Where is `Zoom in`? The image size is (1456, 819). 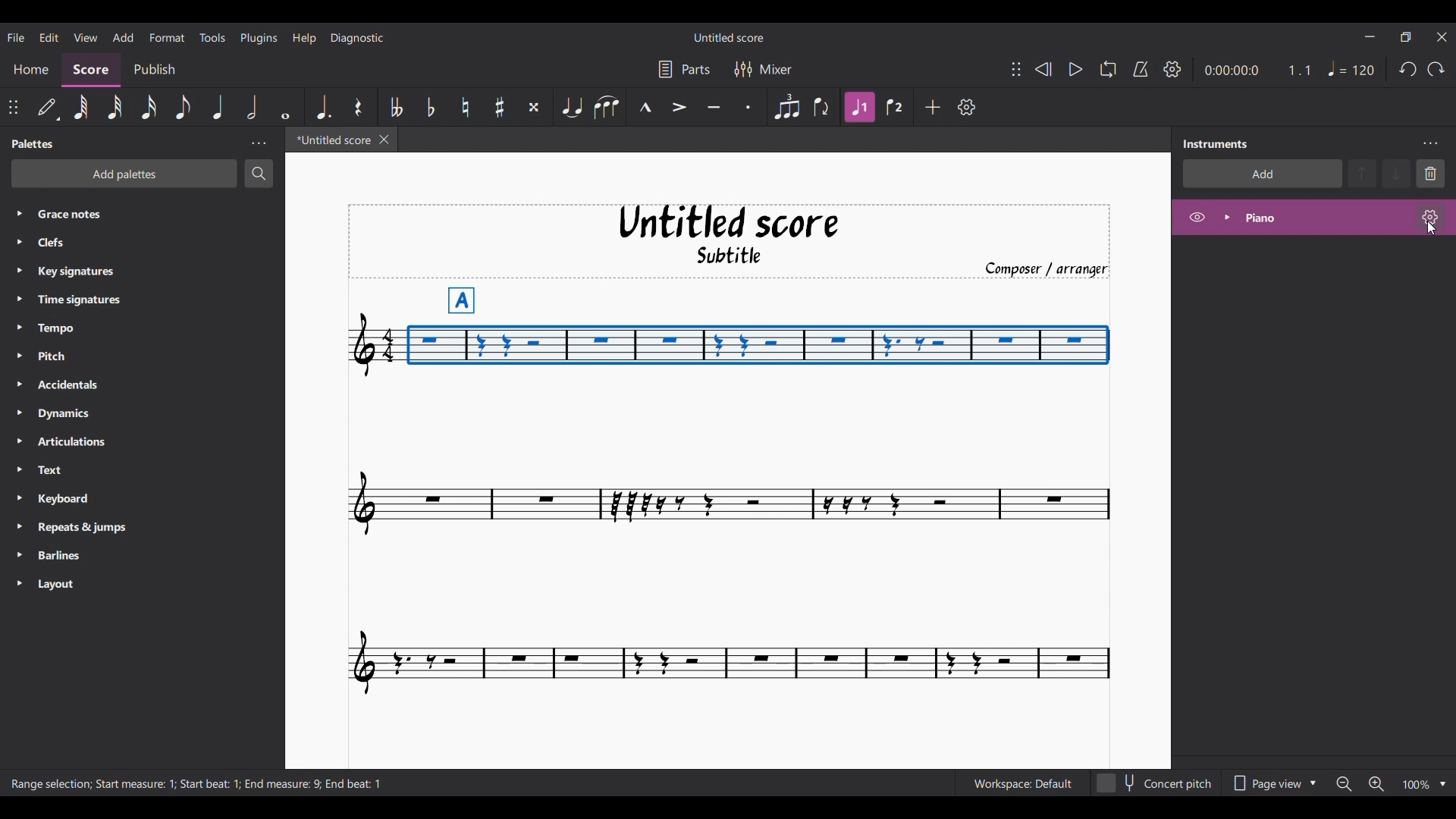
Zoom in is located at coordinates (1376, 784).